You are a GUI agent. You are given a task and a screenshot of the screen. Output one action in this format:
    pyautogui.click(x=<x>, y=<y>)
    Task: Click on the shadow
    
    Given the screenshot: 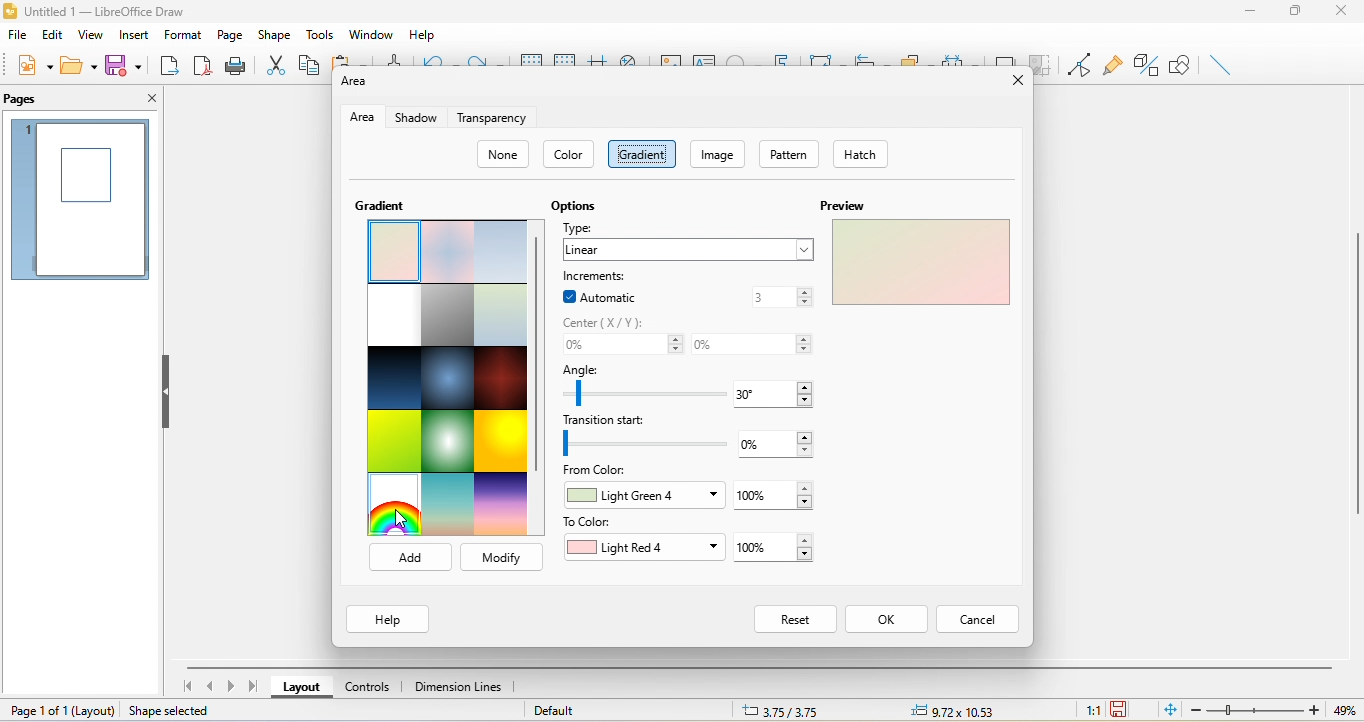 What is the action you would take?
    pyautogui.click(x=413, y=118)
    